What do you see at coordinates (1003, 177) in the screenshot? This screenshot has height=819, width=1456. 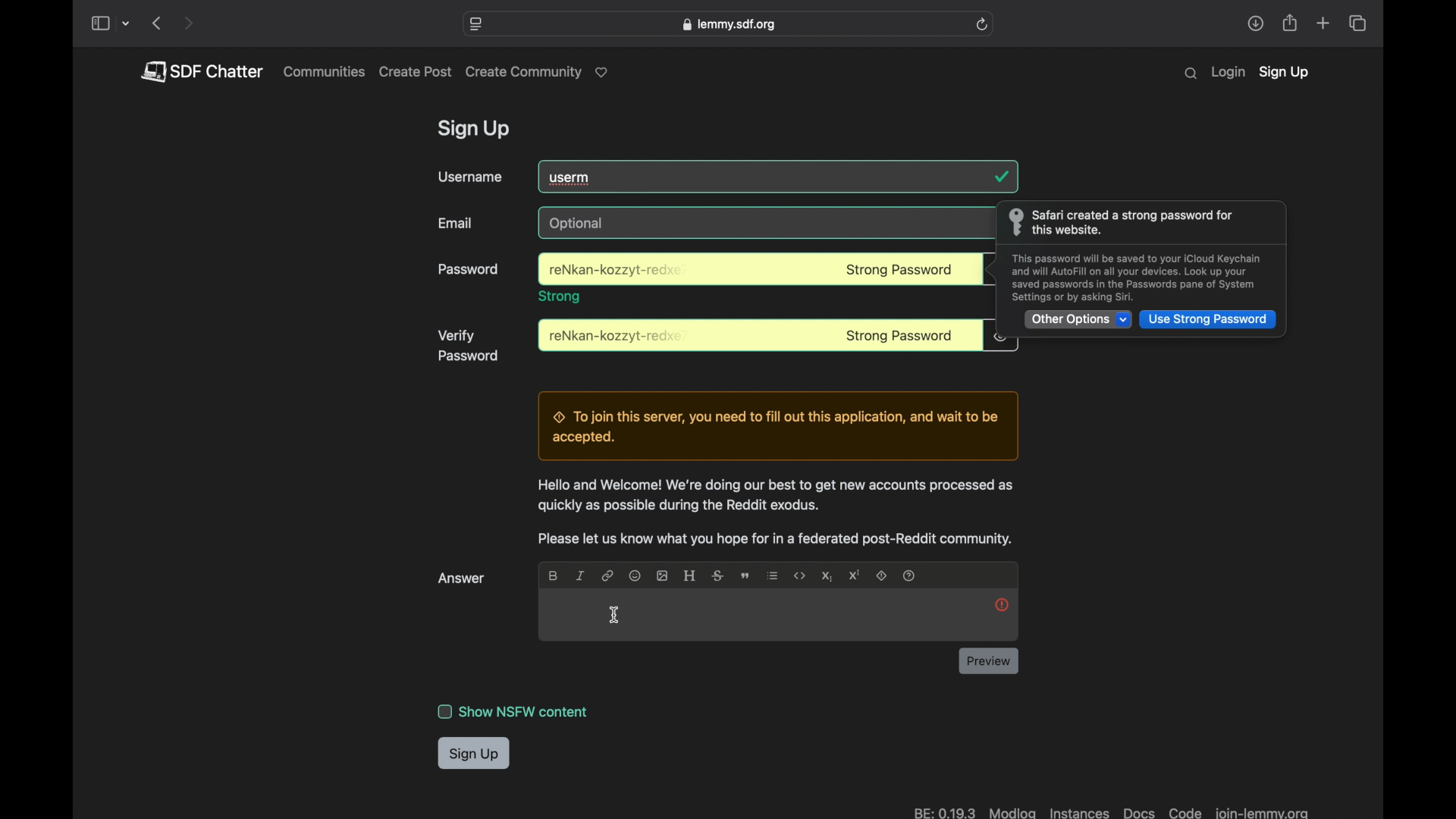 I see `tick mark` at bounding box center [1003, 177].